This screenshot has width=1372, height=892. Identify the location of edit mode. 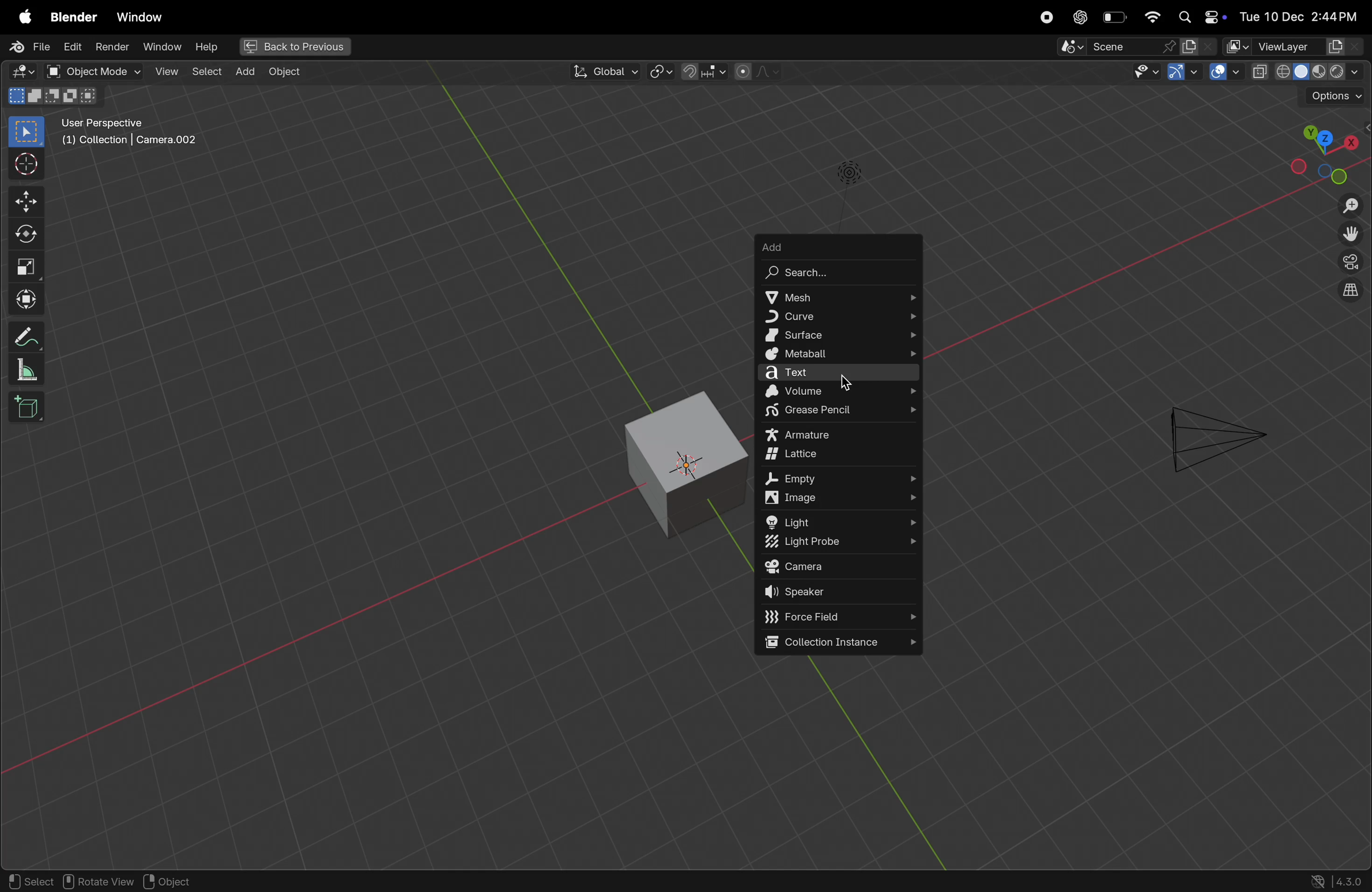
(24, 71).